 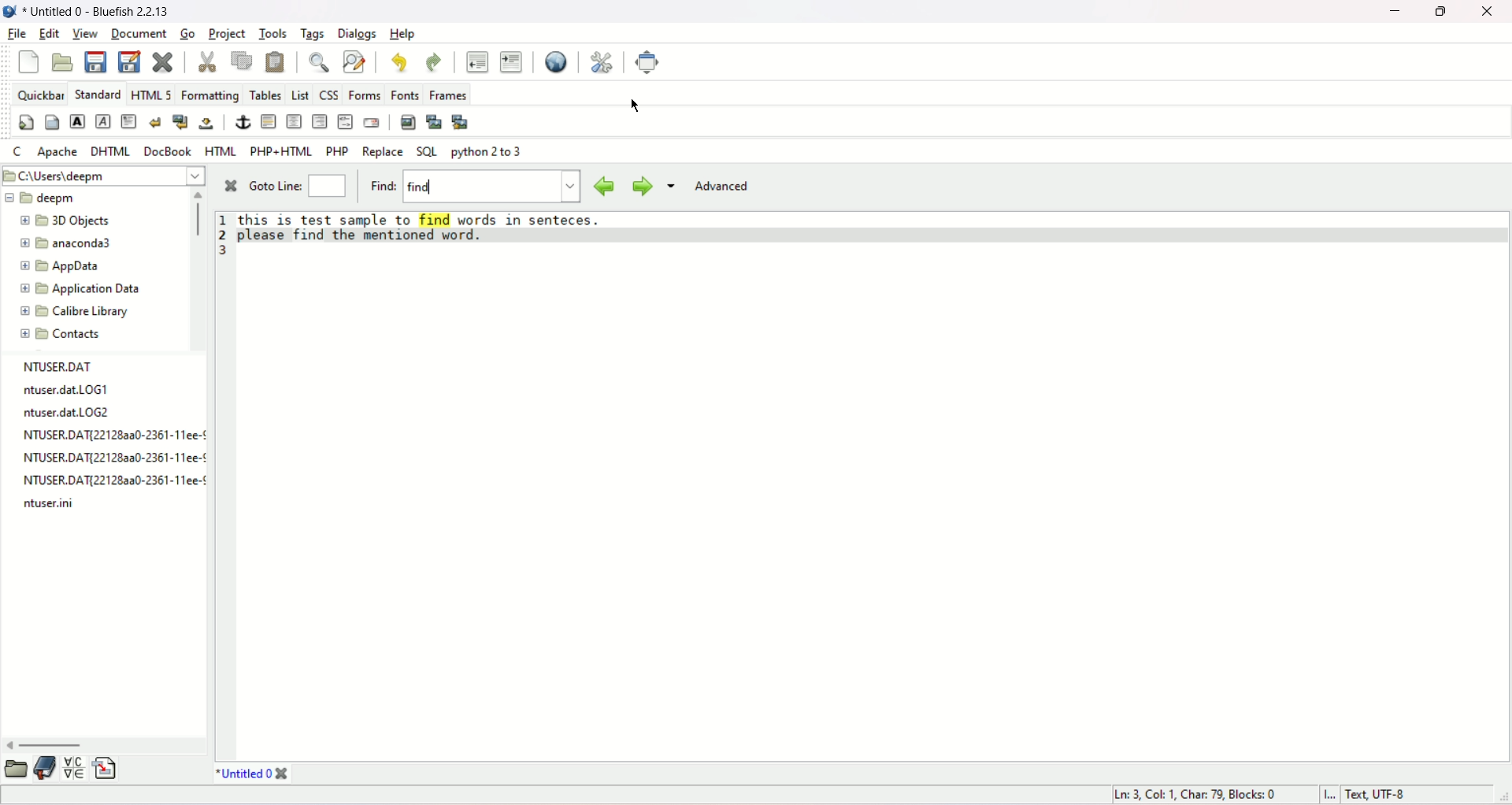 I want to click on copy, so click(x=243, y=59).